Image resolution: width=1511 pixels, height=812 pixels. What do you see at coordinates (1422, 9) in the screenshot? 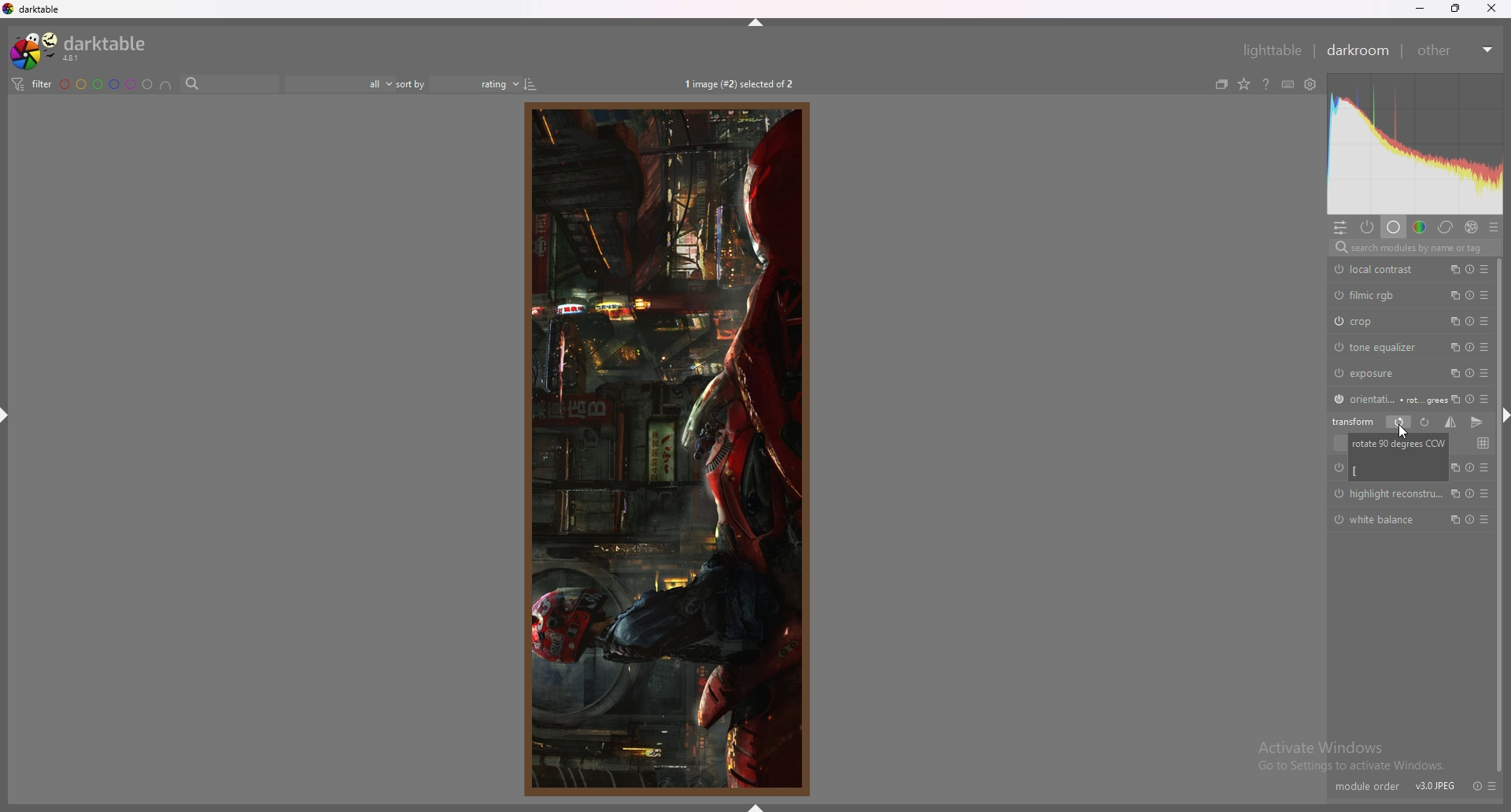
I see `minimize` at bounding box center [1422, 9].